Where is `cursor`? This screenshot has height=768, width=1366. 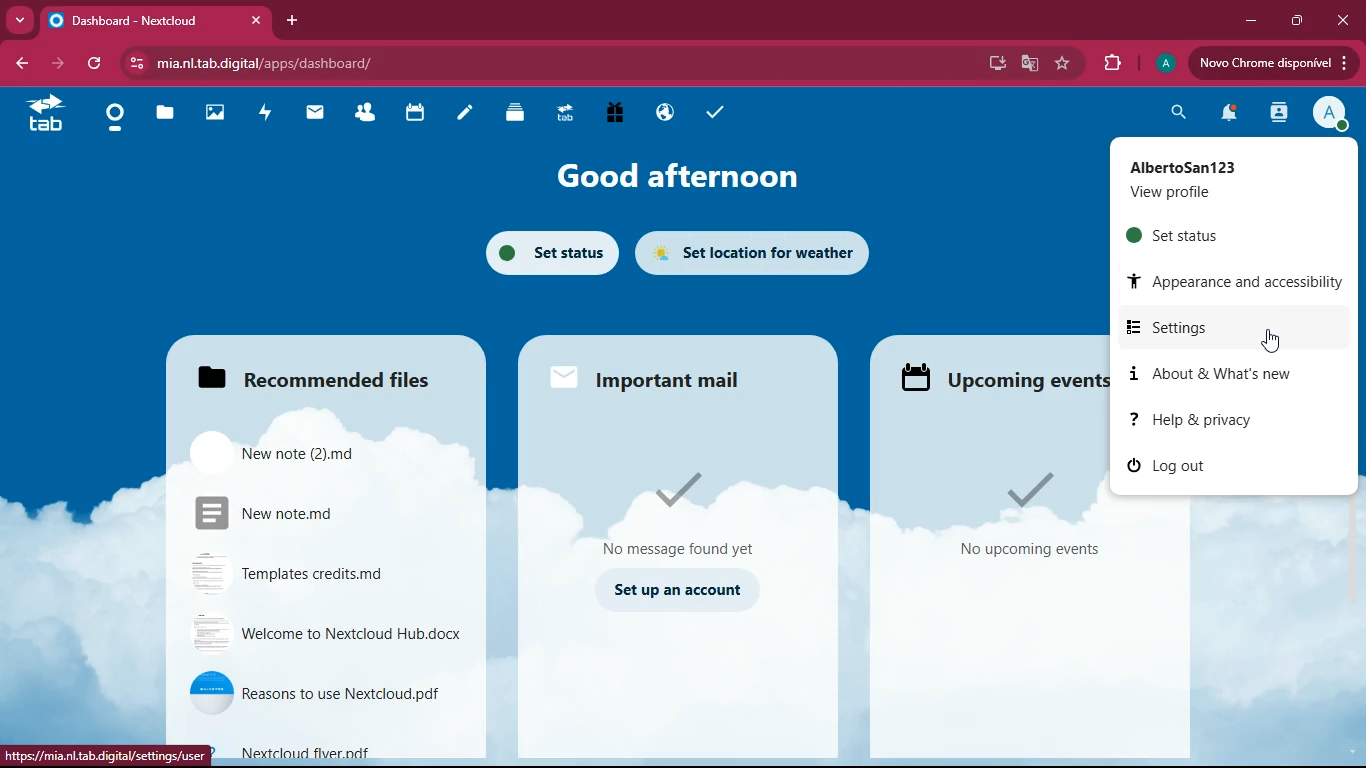 cursor is located at coordinates (1270, 340).